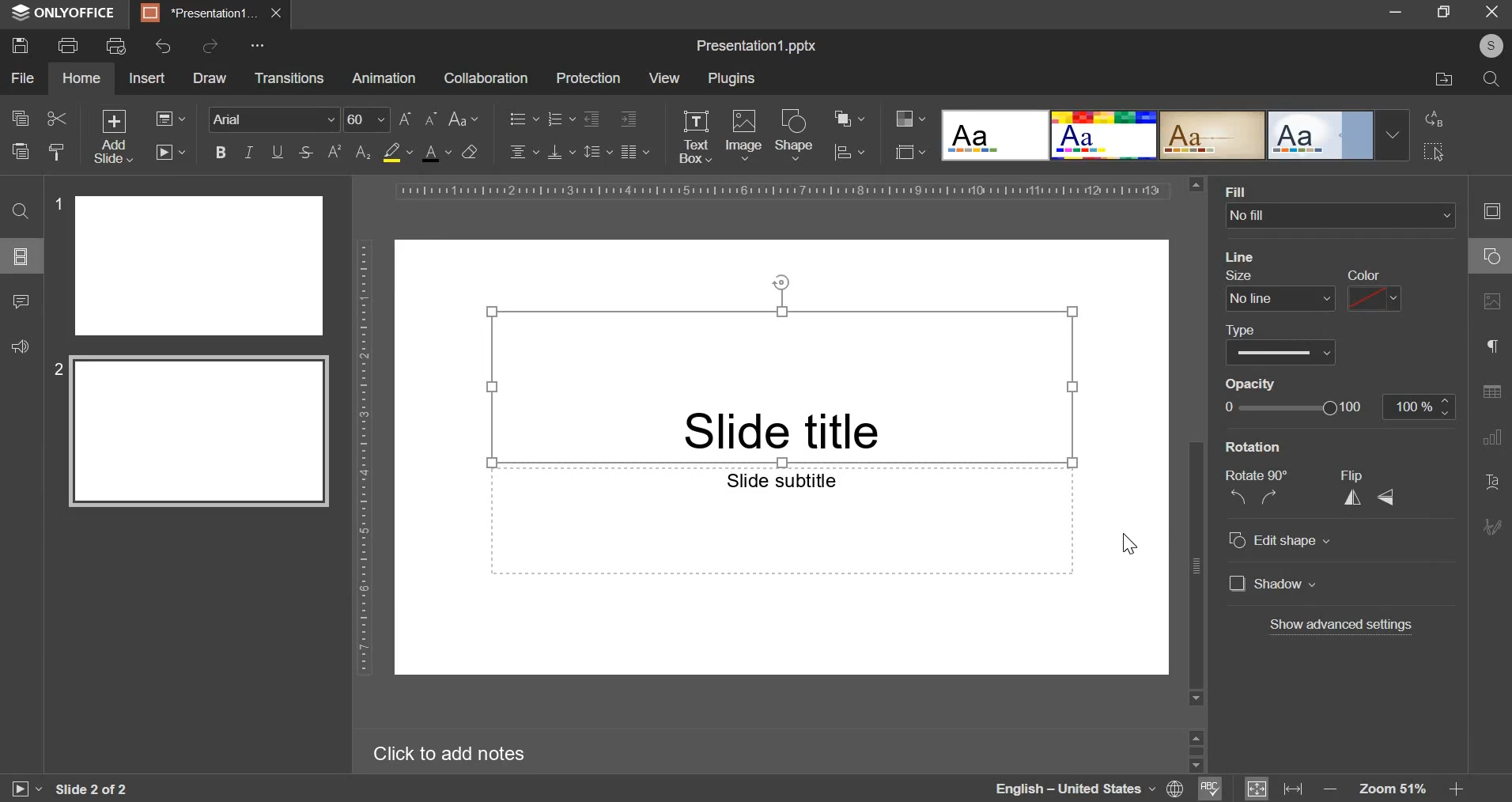 This screenshot has width=1512, height=802. I want to click on paragraph alignment, so click(634, 151).